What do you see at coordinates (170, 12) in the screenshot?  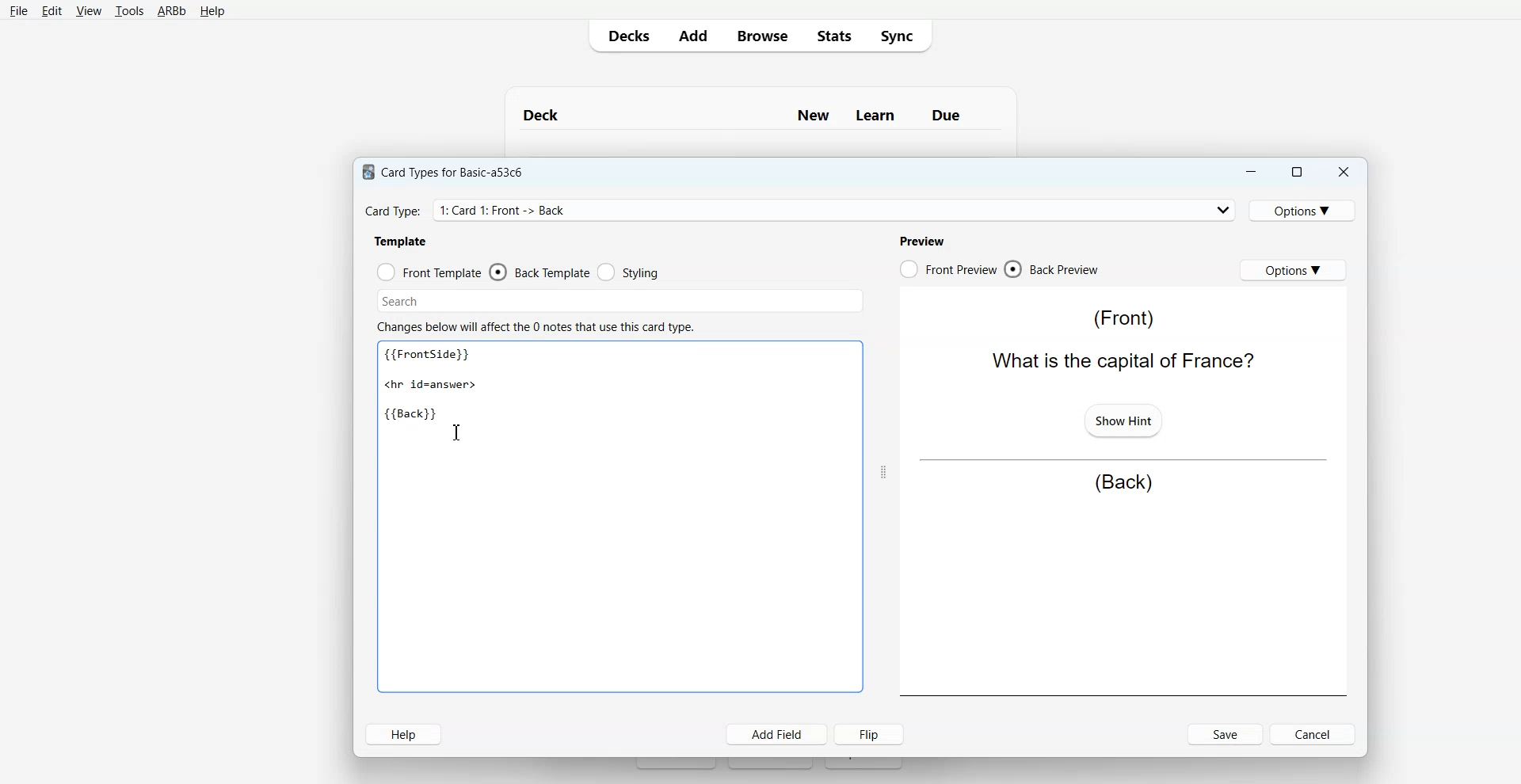 I see `ARBb` at bounding box center [170, 12].